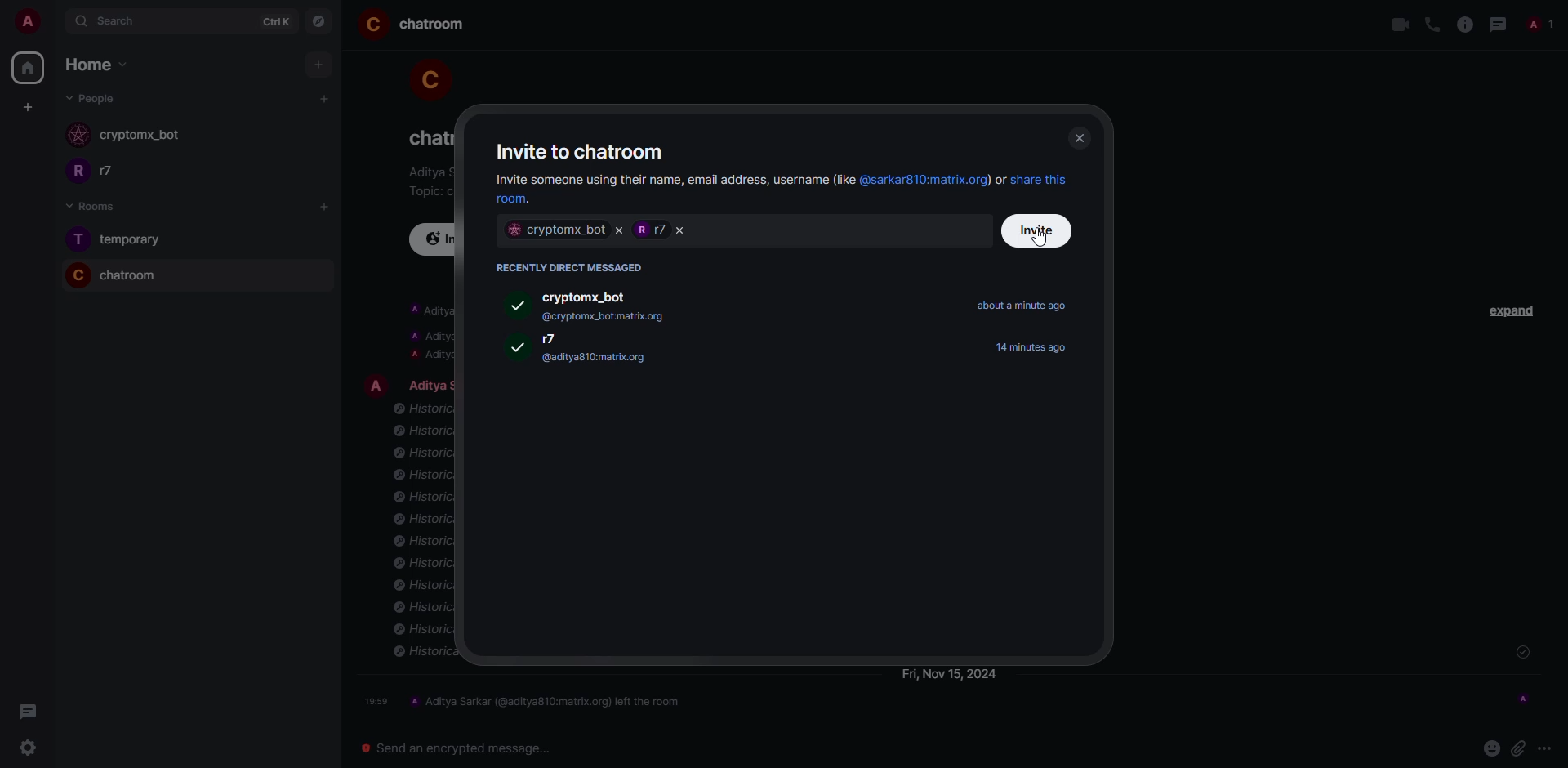 The height and width of the screenshot is (768, 1568). What do you see at coordinates (450, 747) in the screenshot?
I see `send encrypted message` at bounding box center [450, 747].